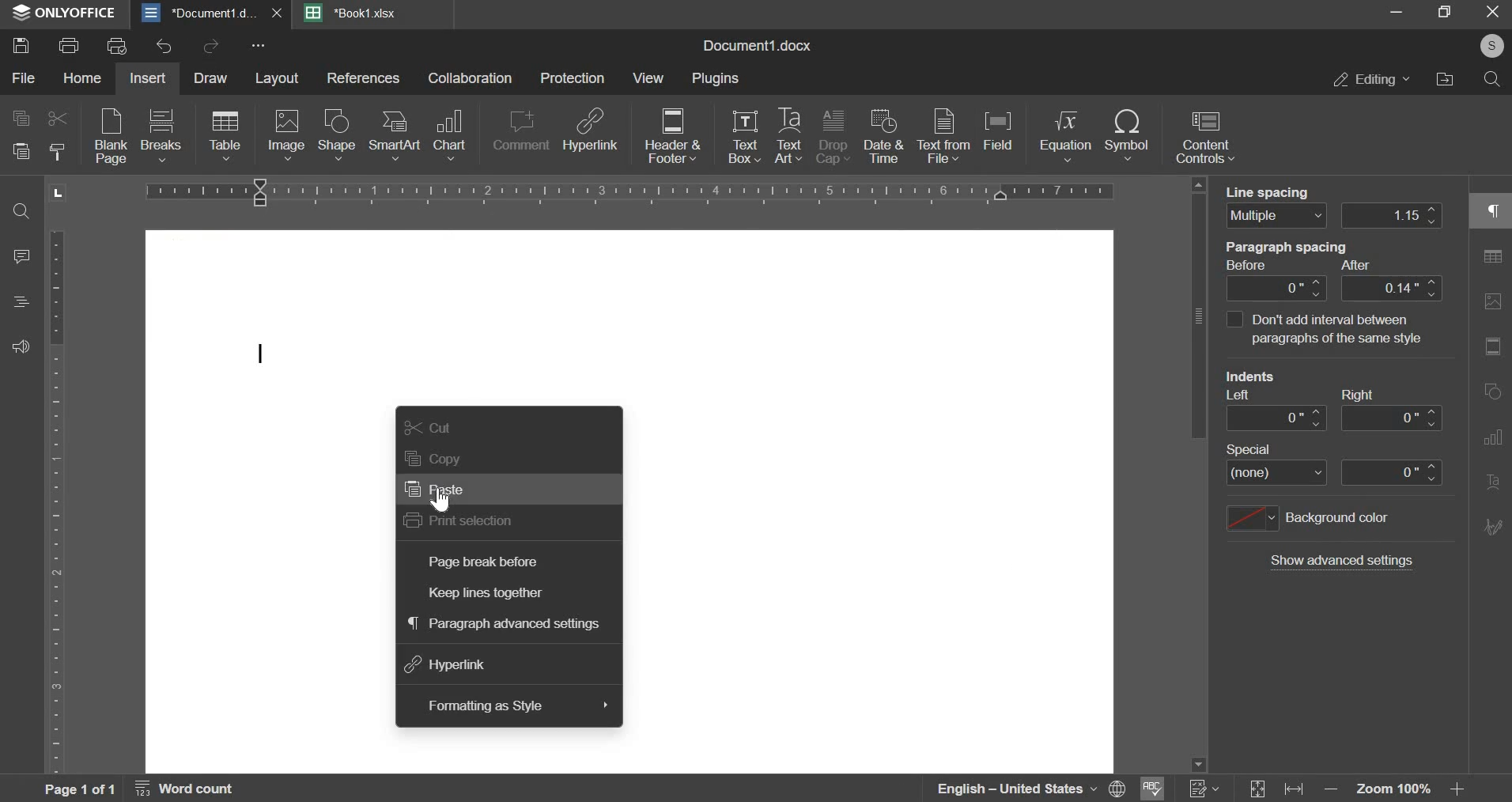 The width and height of the screenshot is (1512, 802). Describe the element at coordinates (1399, 16) in the screenshot. I see `minimize` at that location.